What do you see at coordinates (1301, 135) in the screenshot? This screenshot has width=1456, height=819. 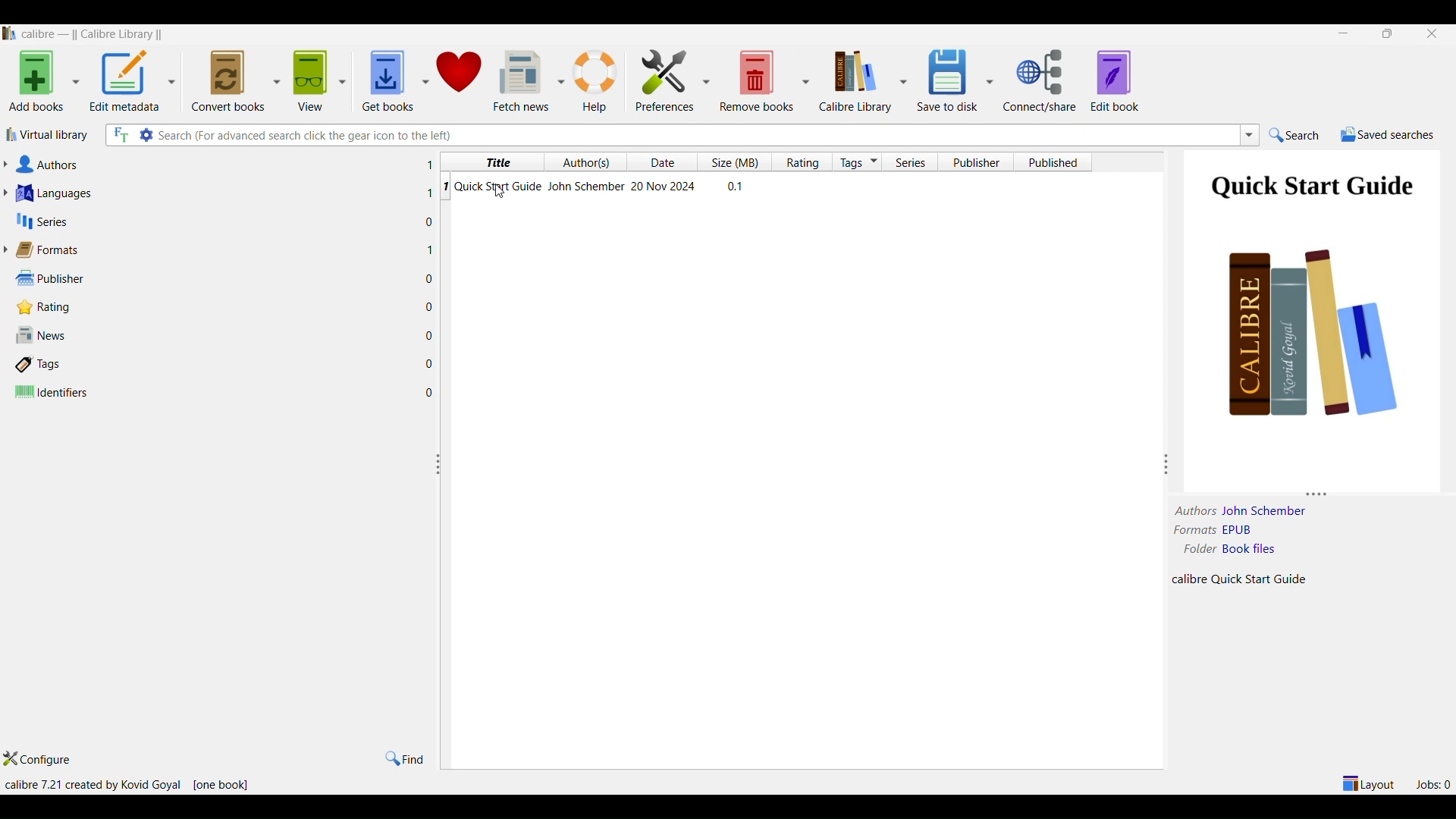 I see `search` at bounding box center [1301, 135].